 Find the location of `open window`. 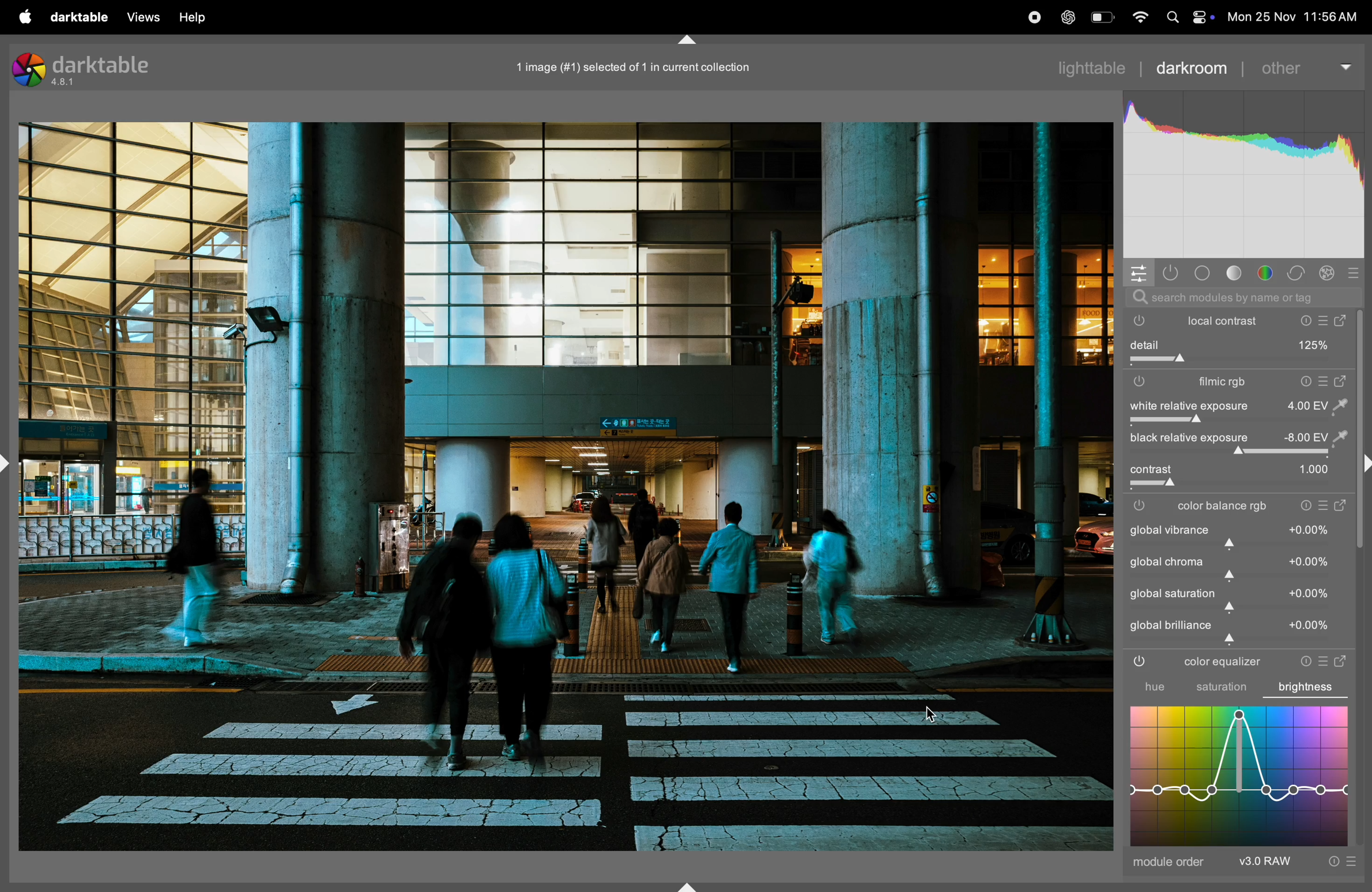

open window is located at coordinates (1343, 381).